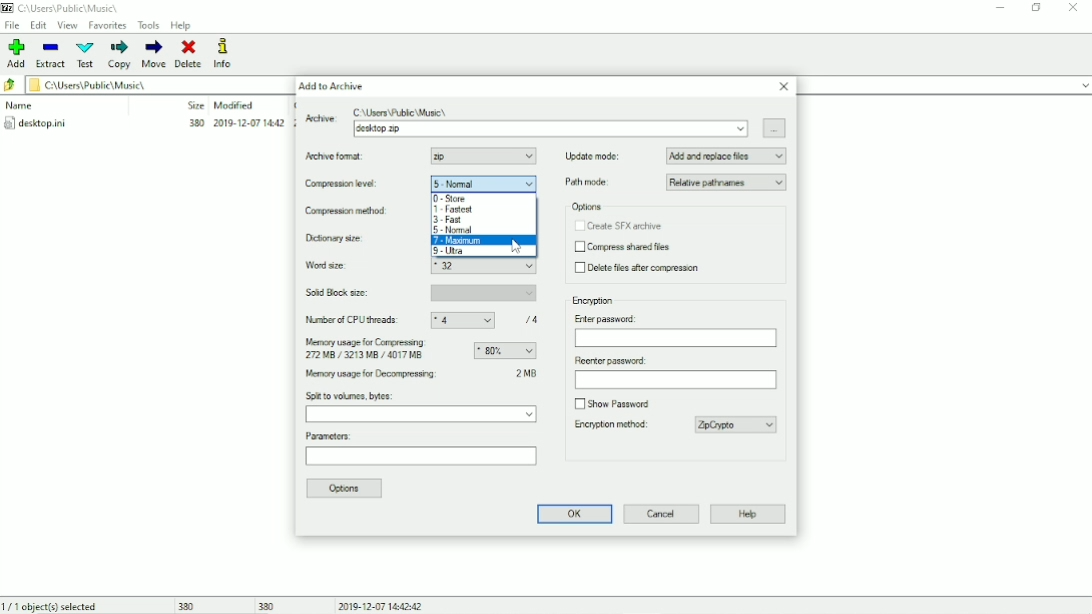 The height and width of the screenshot is (614, 1092). Describe the element at coordinates (423, 269) in the screenshot. I see `Word size` at that location.